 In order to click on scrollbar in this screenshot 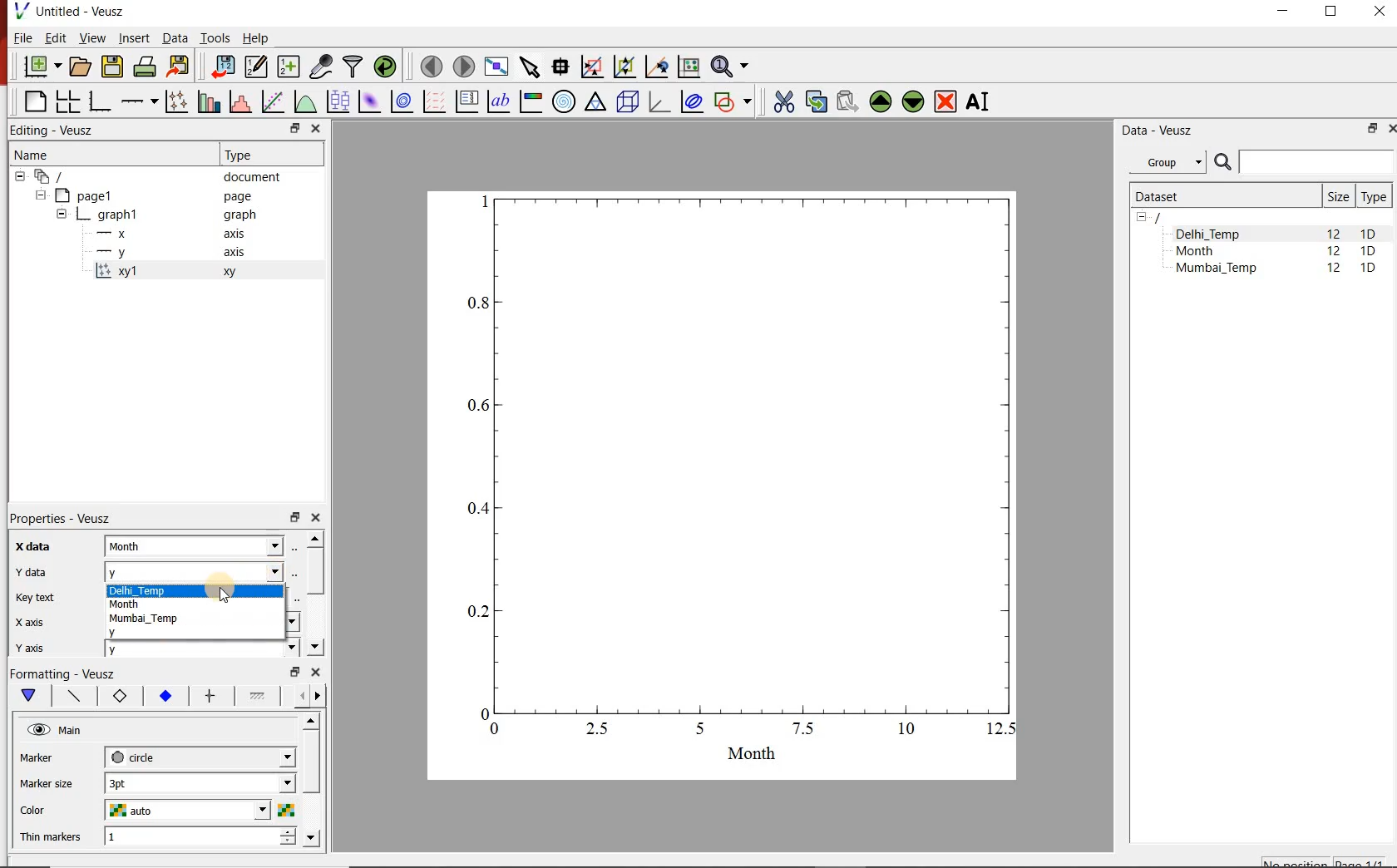, I will do `click(313, 782)`.